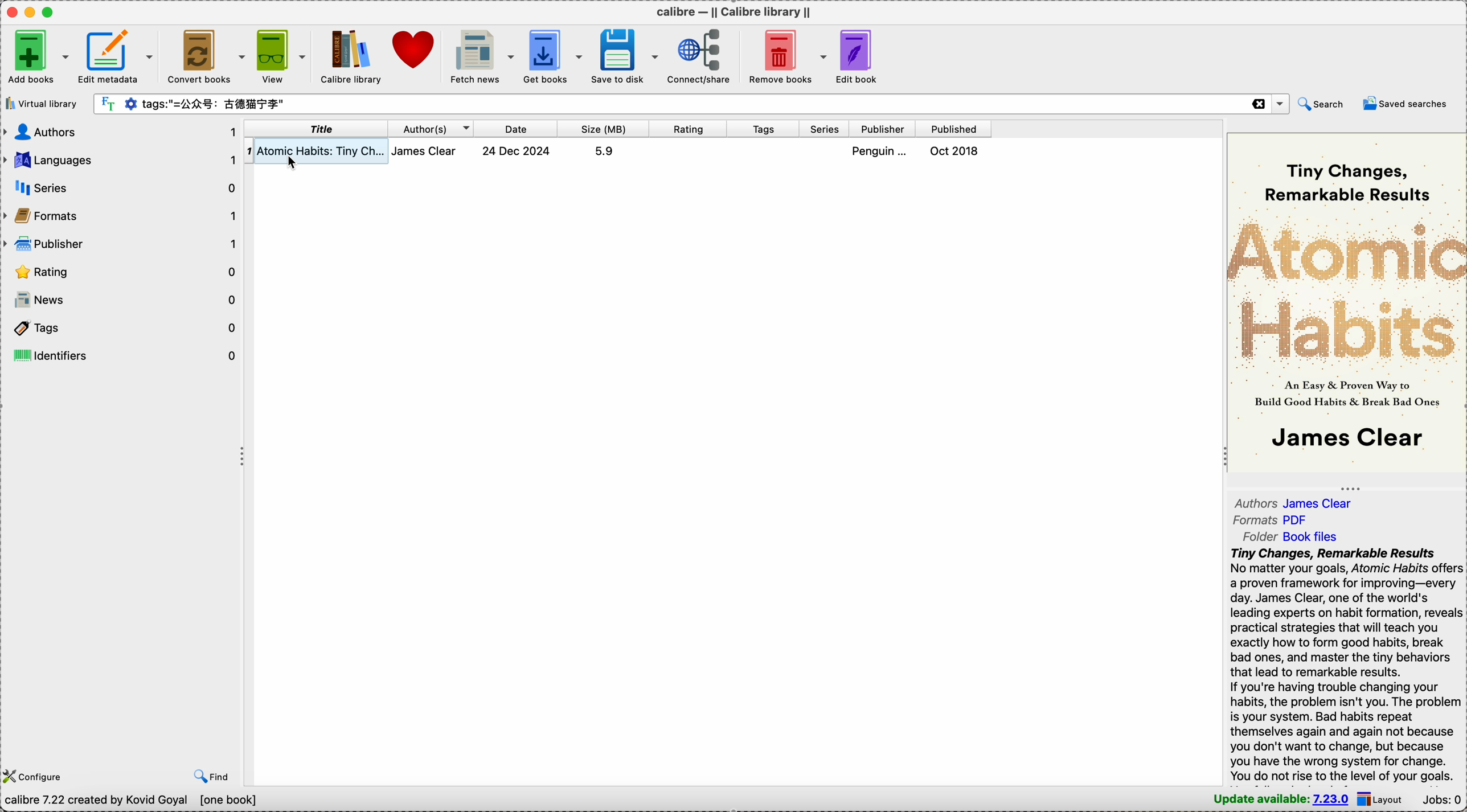 This screenshot has height=812, width=1467. I want to click on minimize Calibre, so click(28, 12).